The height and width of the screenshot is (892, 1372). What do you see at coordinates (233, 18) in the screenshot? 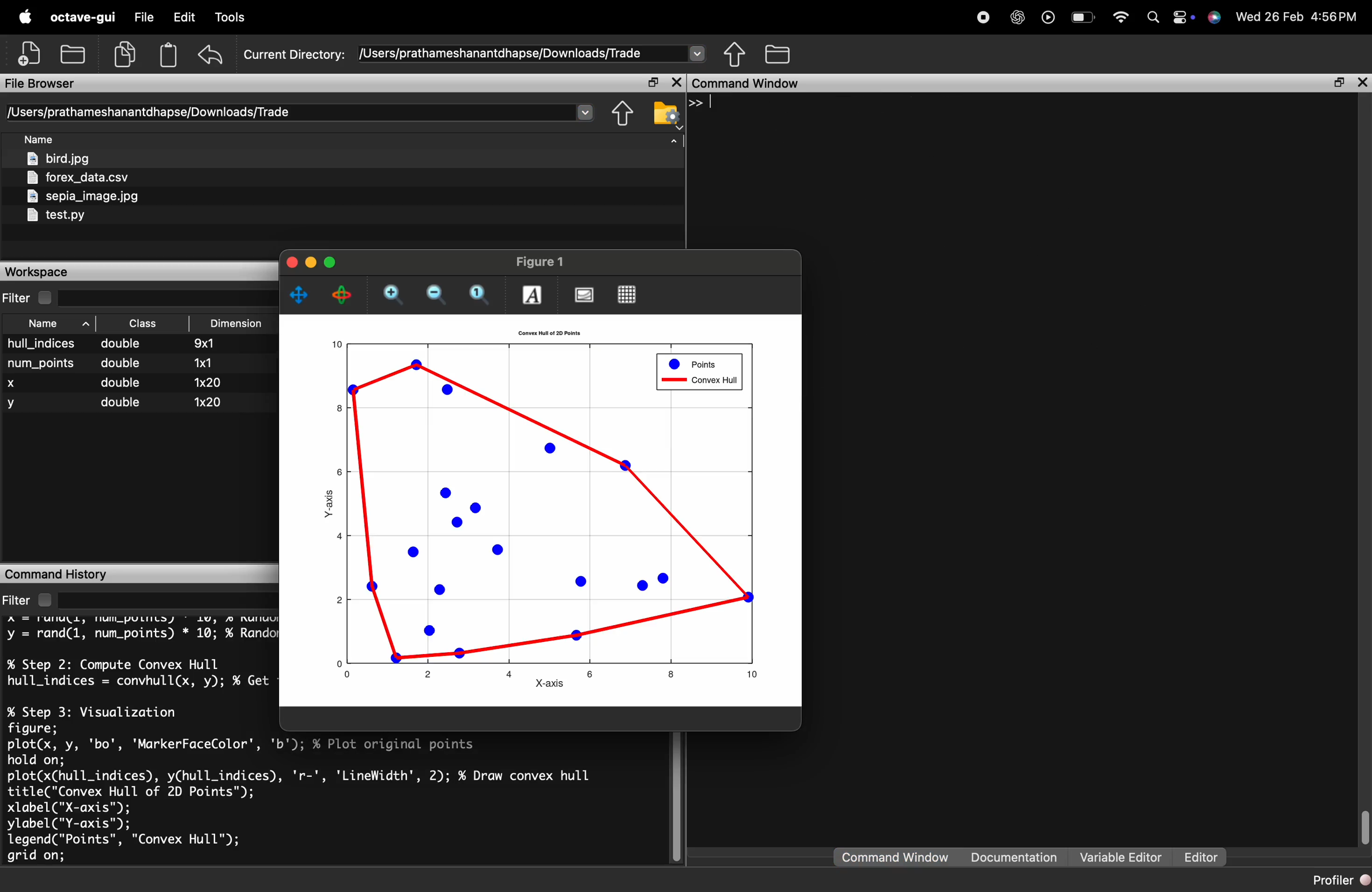
I see `Debug` at bounding box center [233, 18].